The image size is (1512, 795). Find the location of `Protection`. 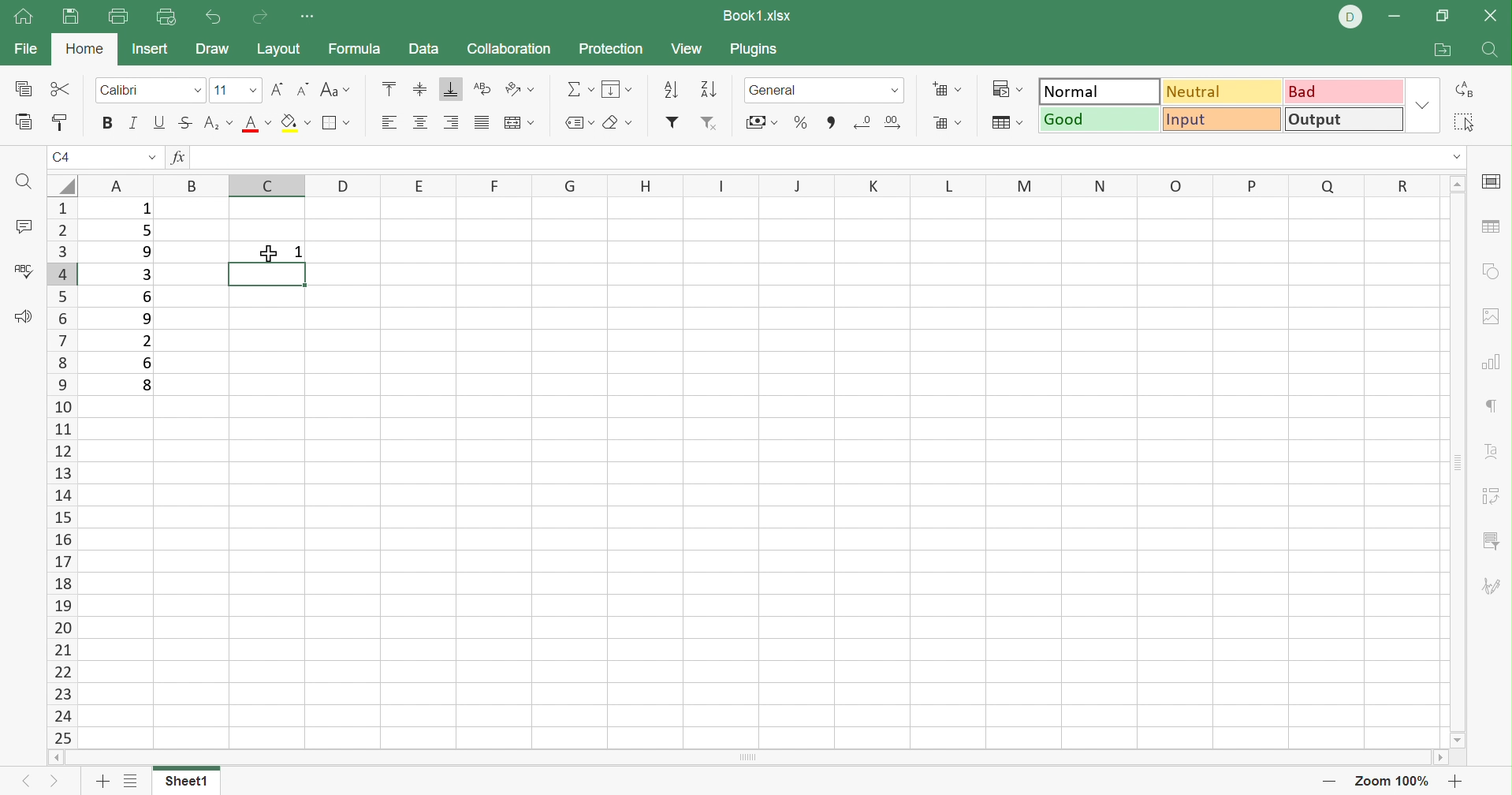

Protection is located at coordinates (611, 50).